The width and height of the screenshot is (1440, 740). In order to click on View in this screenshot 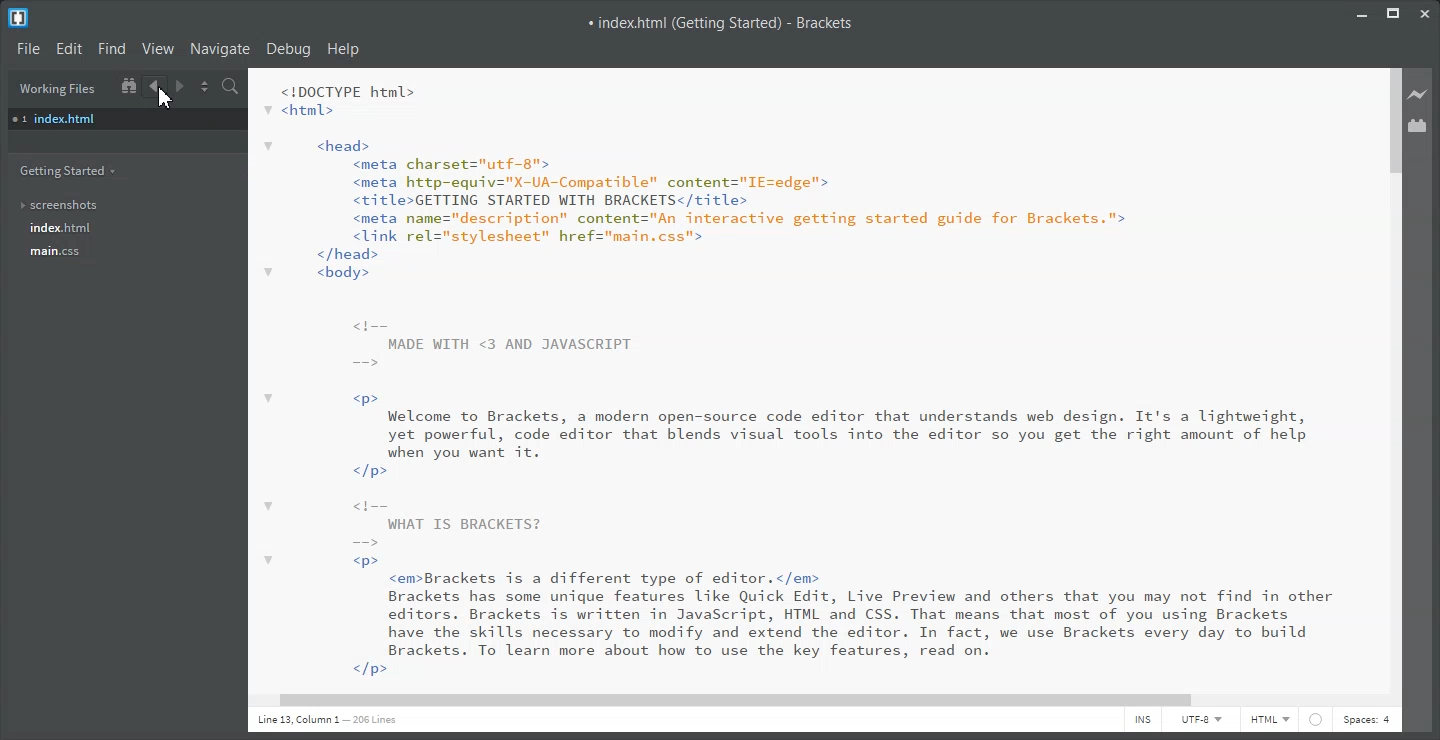, I will do `click(159, 48)`.